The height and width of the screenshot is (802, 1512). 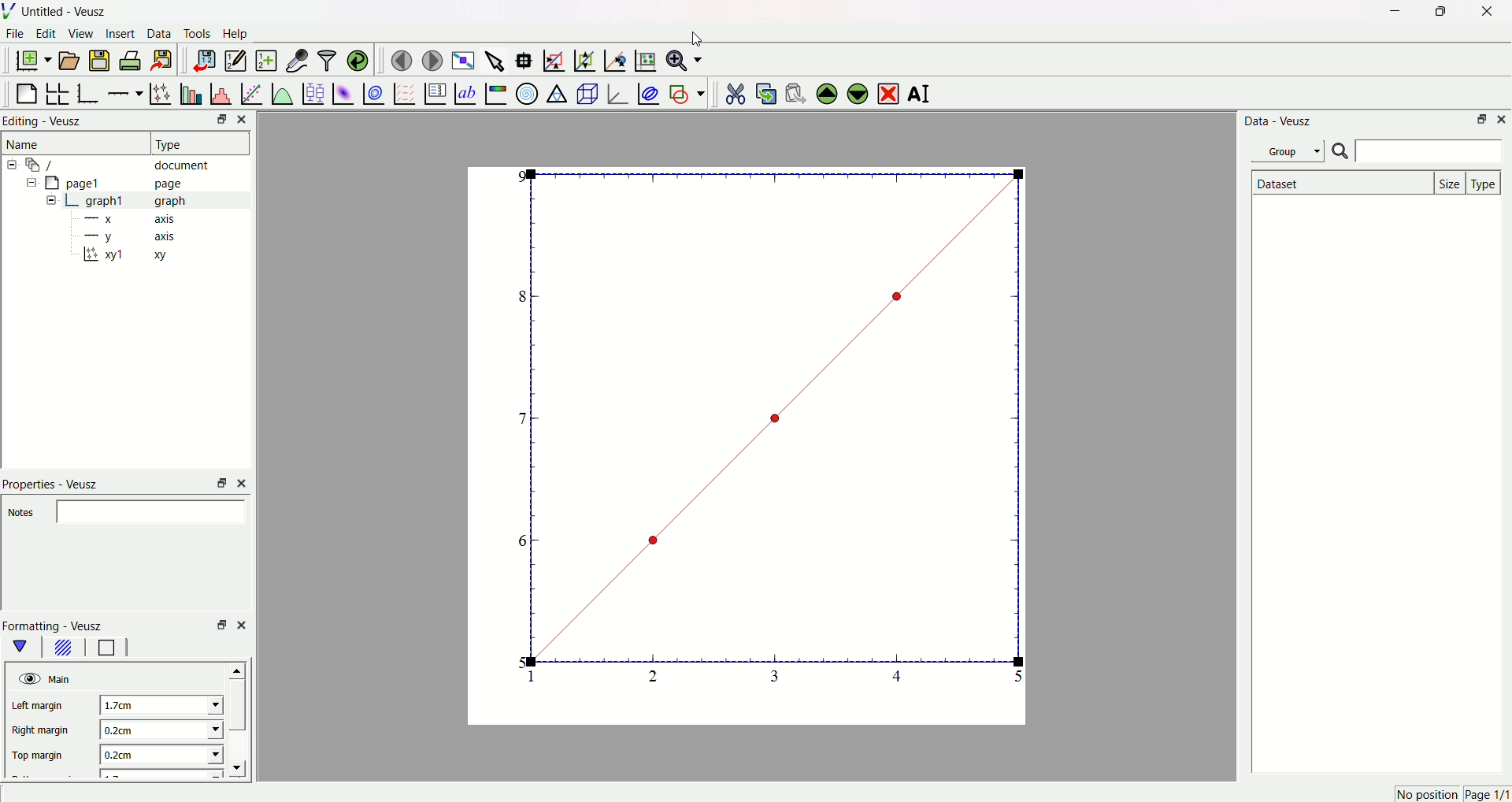 I want to click on 0.2 cm, so click(x=159, y=756).